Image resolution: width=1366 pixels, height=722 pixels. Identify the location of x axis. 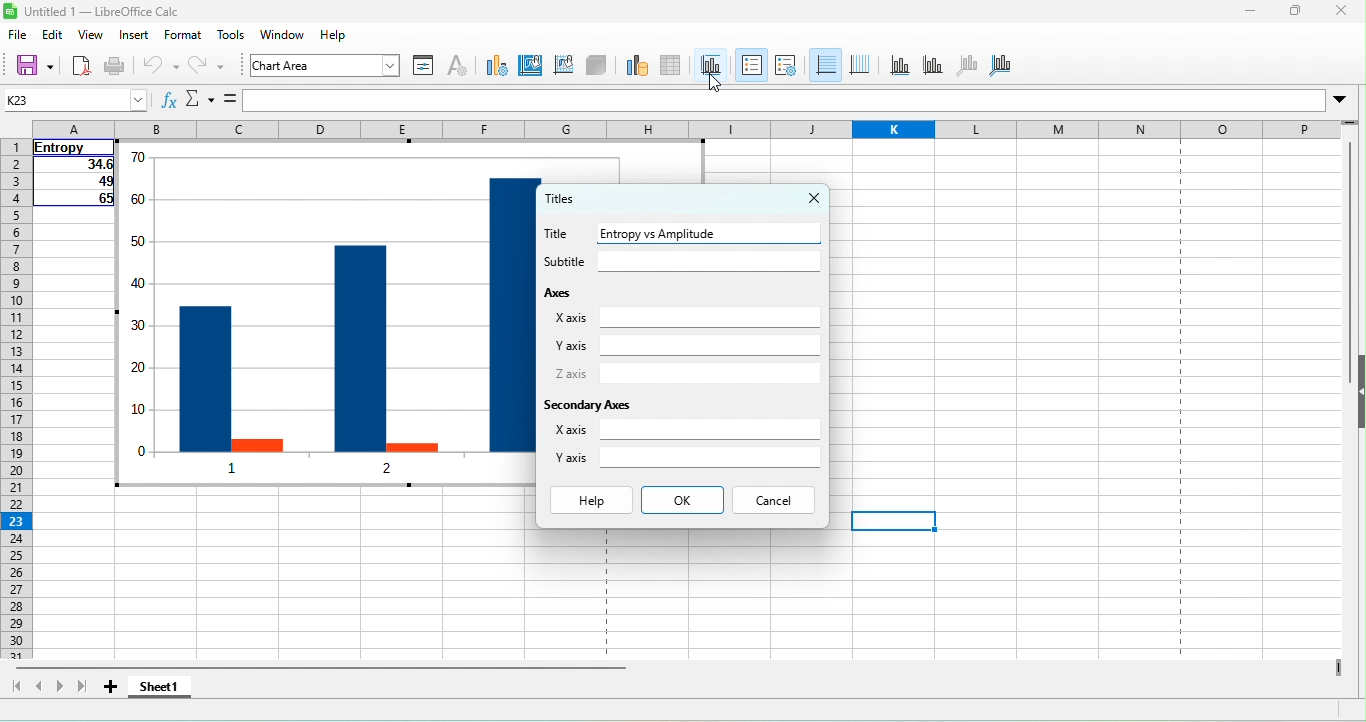
(683, 319).